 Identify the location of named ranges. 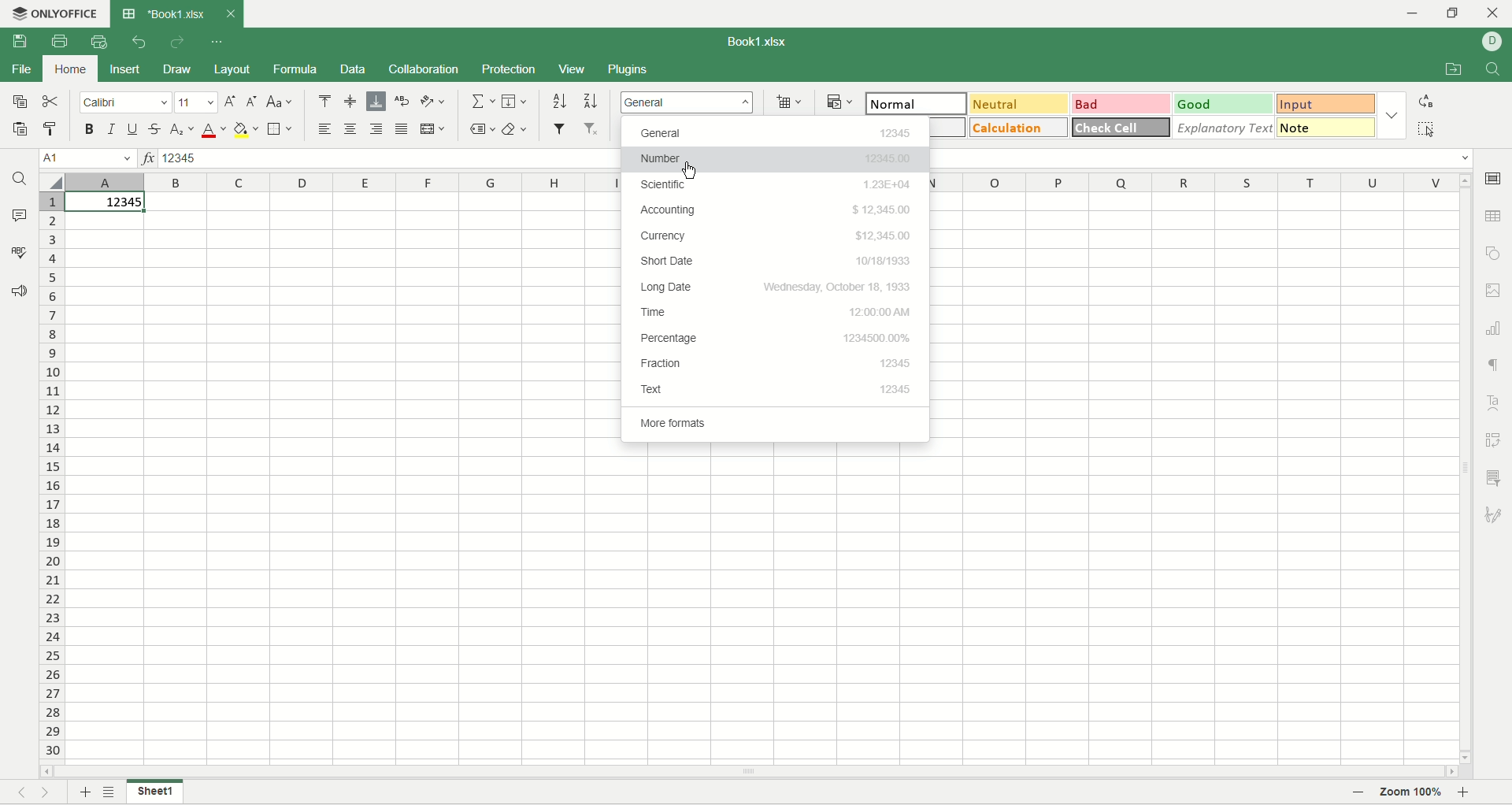
(484, 130).